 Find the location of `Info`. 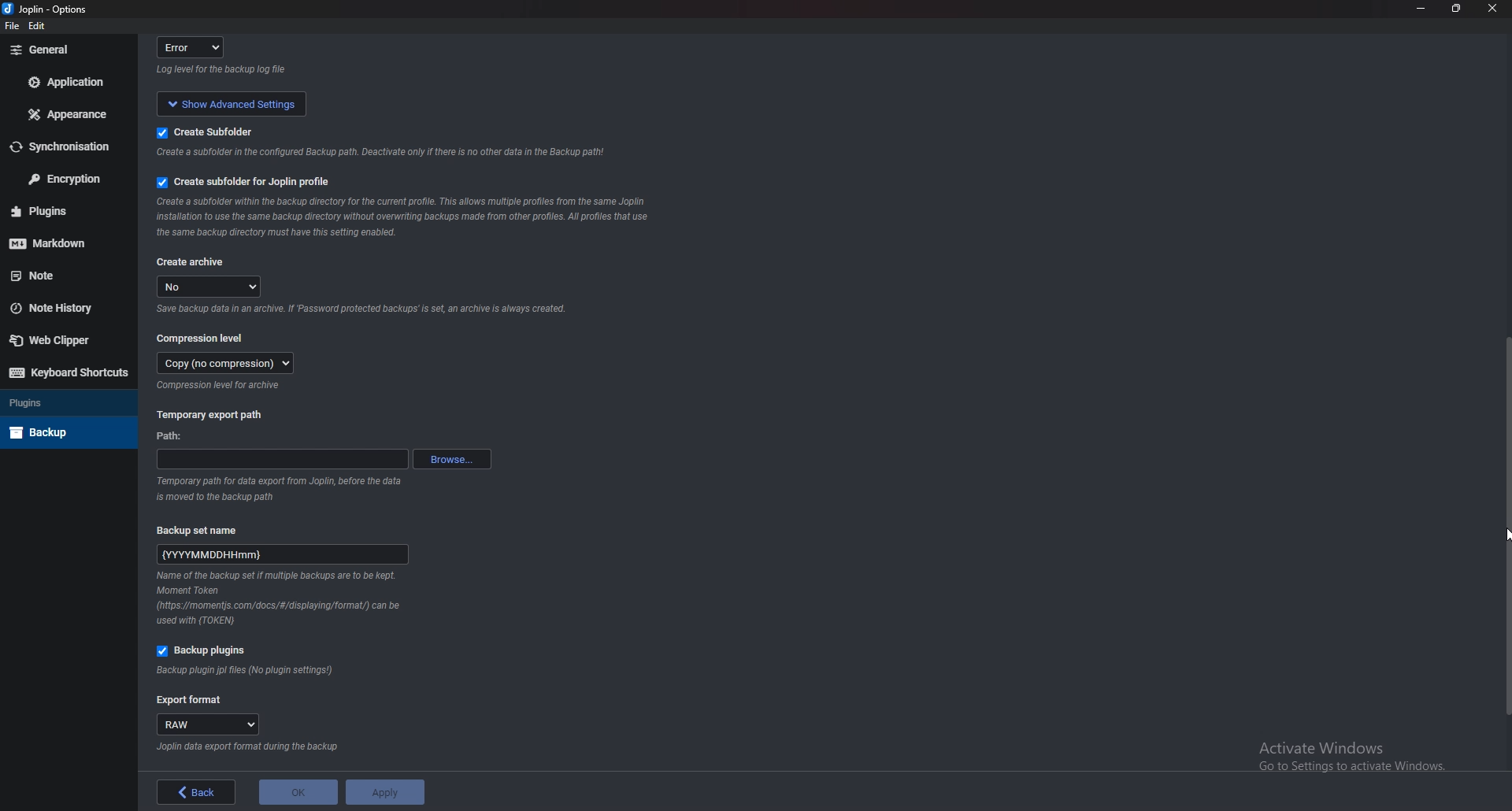

Info is located at coordinates (402, 218).